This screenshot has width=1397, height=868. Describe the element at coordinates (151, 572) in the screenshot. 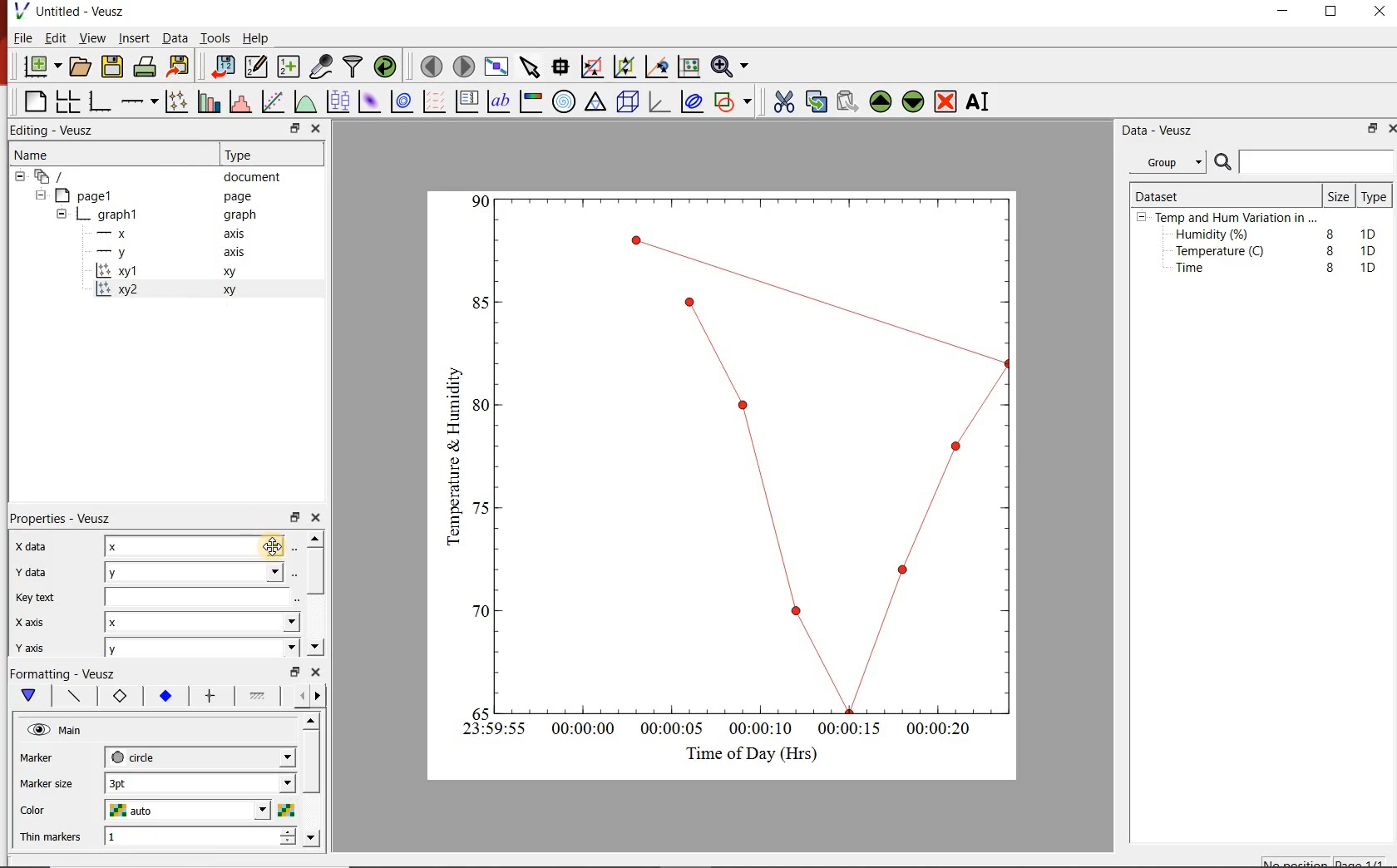

I see `y` at that location.